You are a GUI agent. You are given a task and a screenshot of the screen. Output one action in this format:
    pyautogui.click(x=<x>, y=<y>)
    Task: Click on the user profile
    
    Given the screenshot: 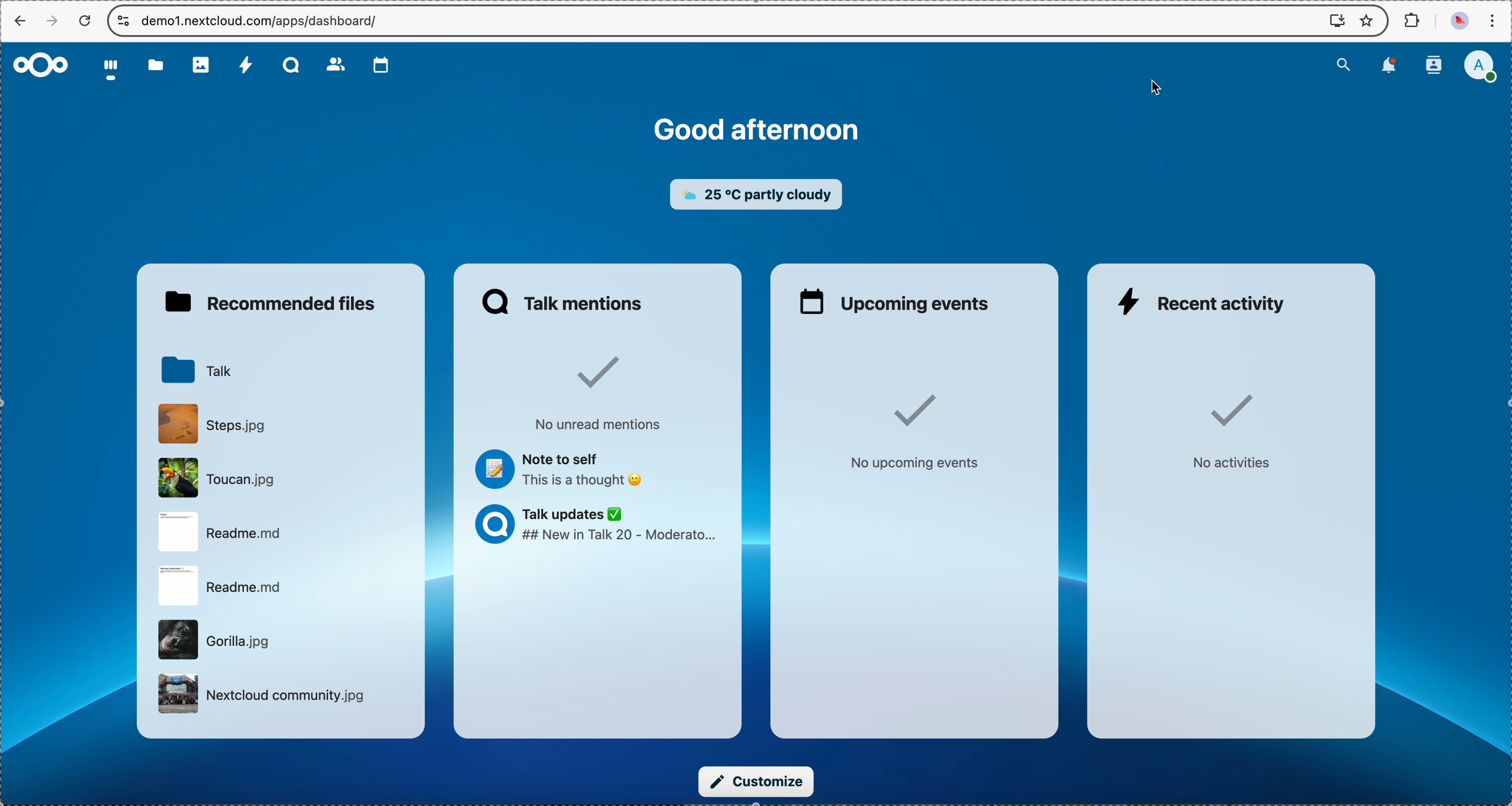 What is the action you would take?
    pyautogui.click(x=1484, y=66)
    